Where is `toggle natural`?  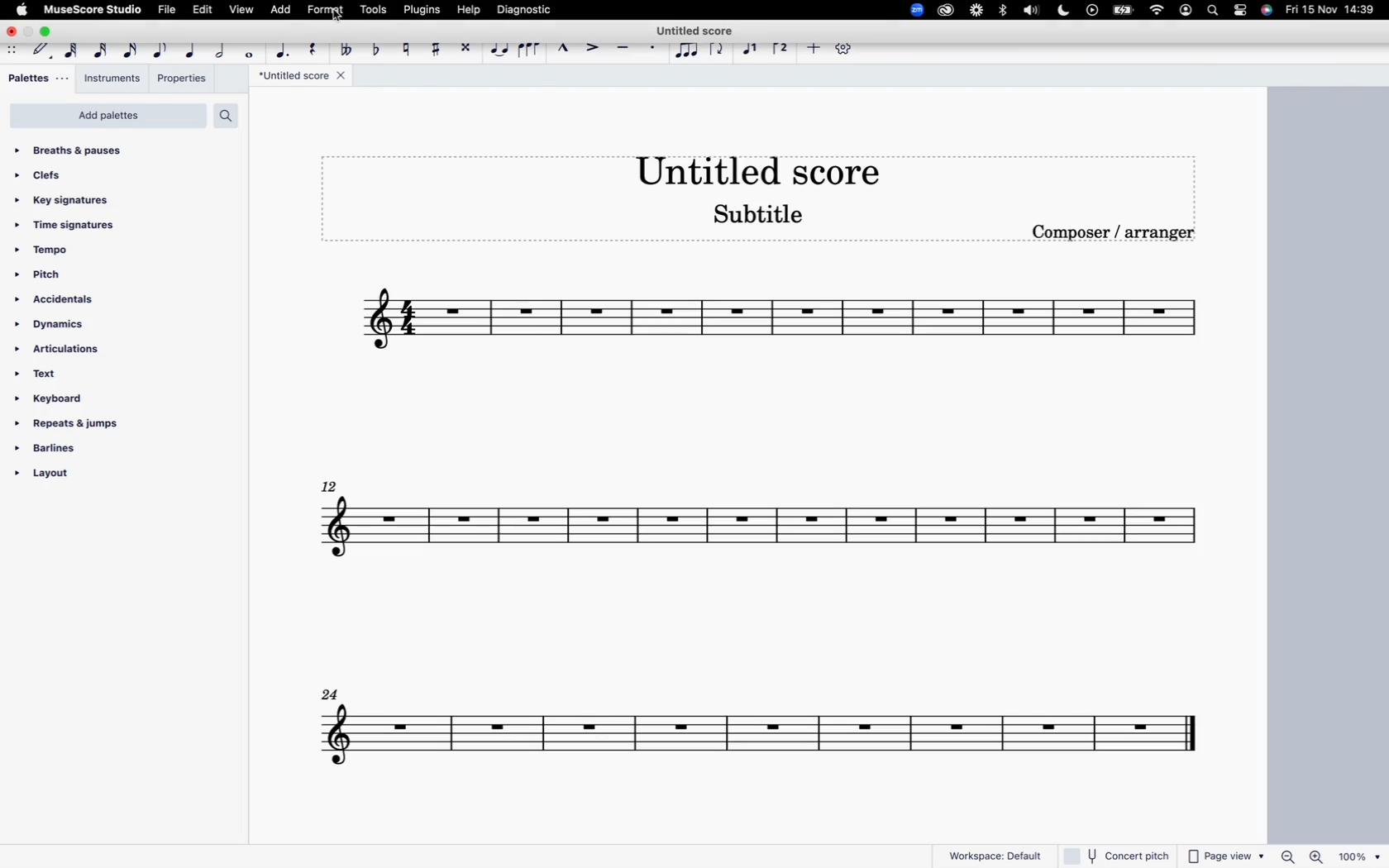 toggle natural is located at coordinates (407, 49).